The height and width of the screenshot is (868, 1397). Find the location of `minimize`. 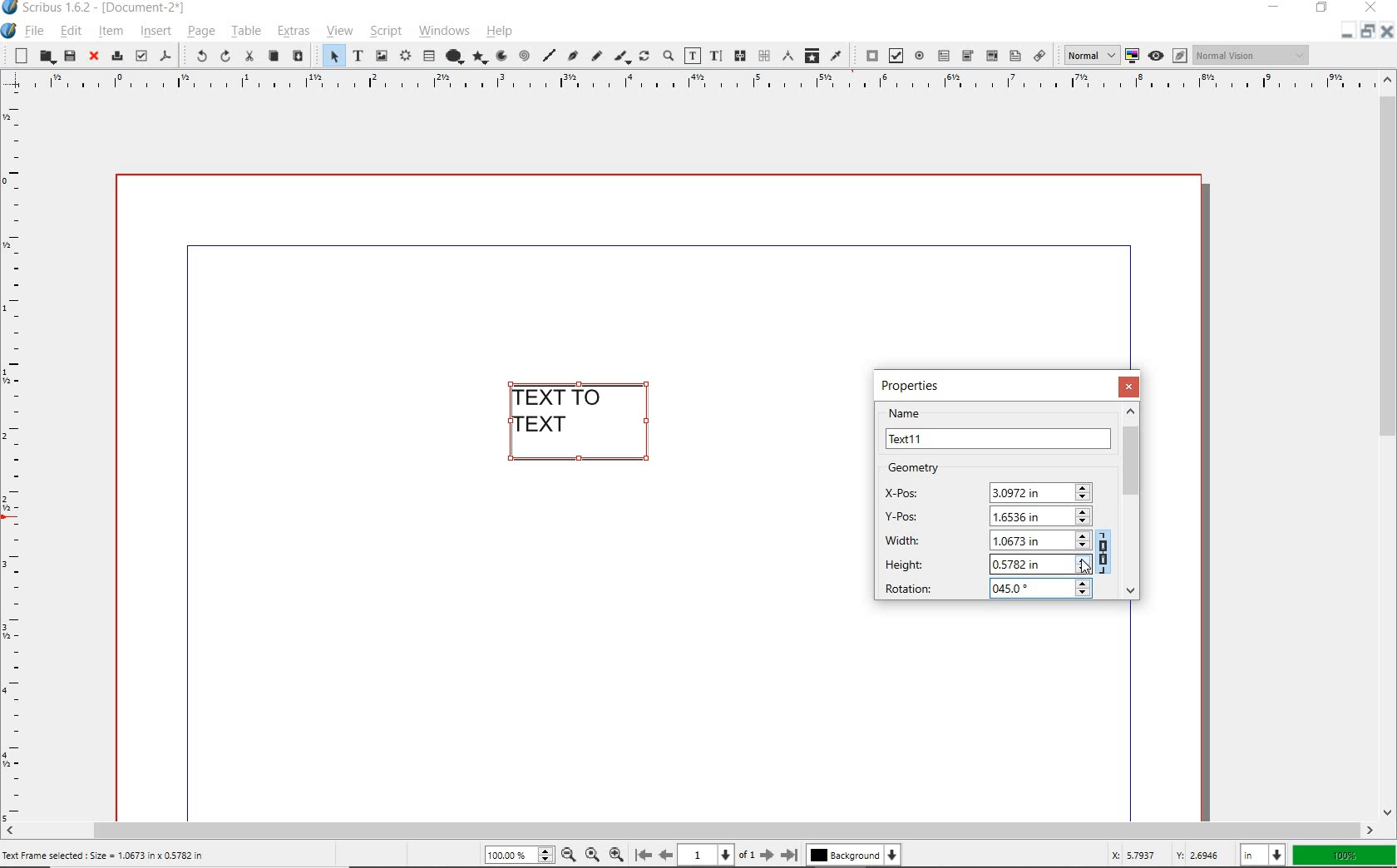

minimize is located at coordinates (1345, 34).